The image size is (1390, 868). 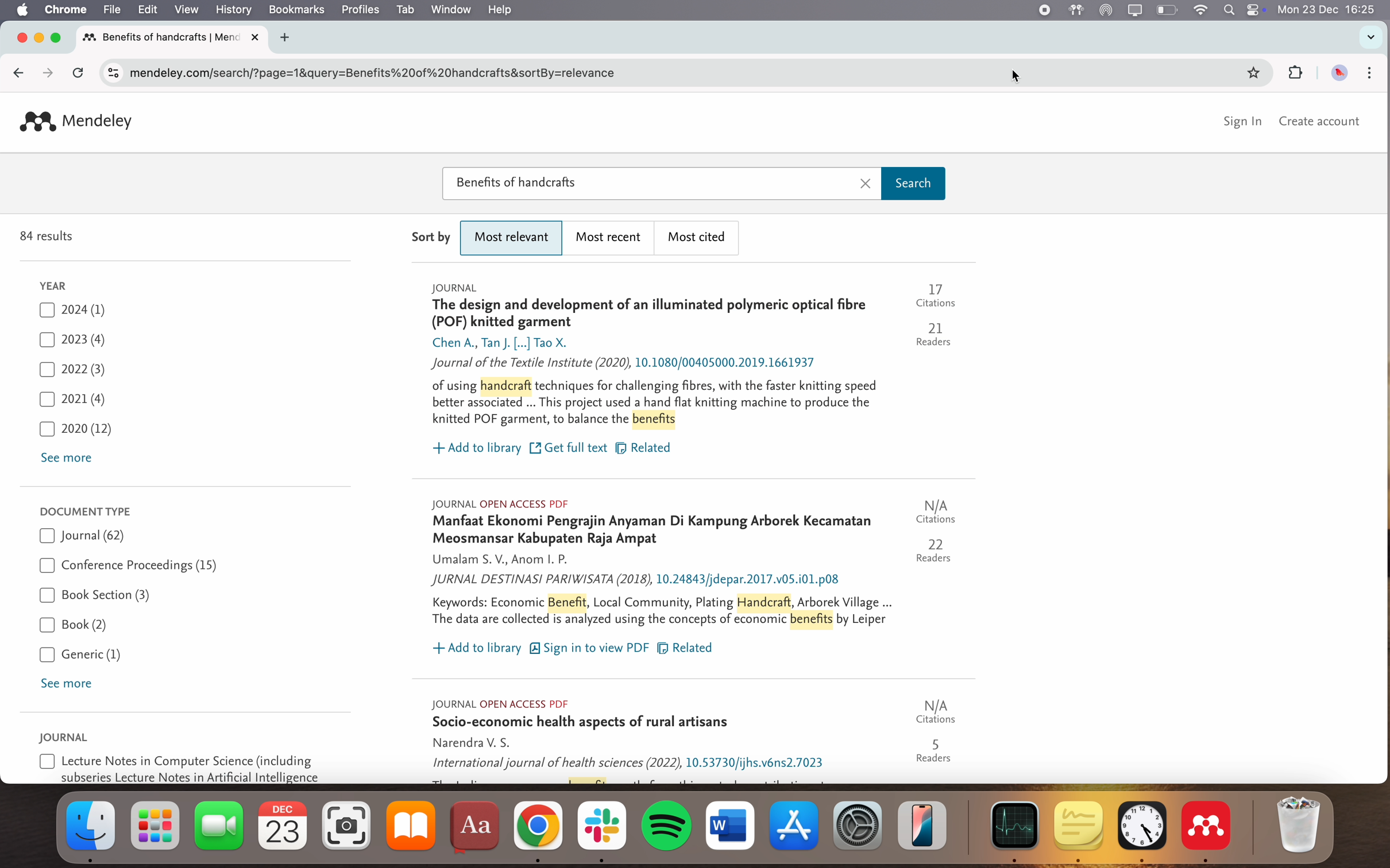 What do you see at coordinates (700, 239) in the screenshot?
I see `most cited` at bounding box center [700, 239].